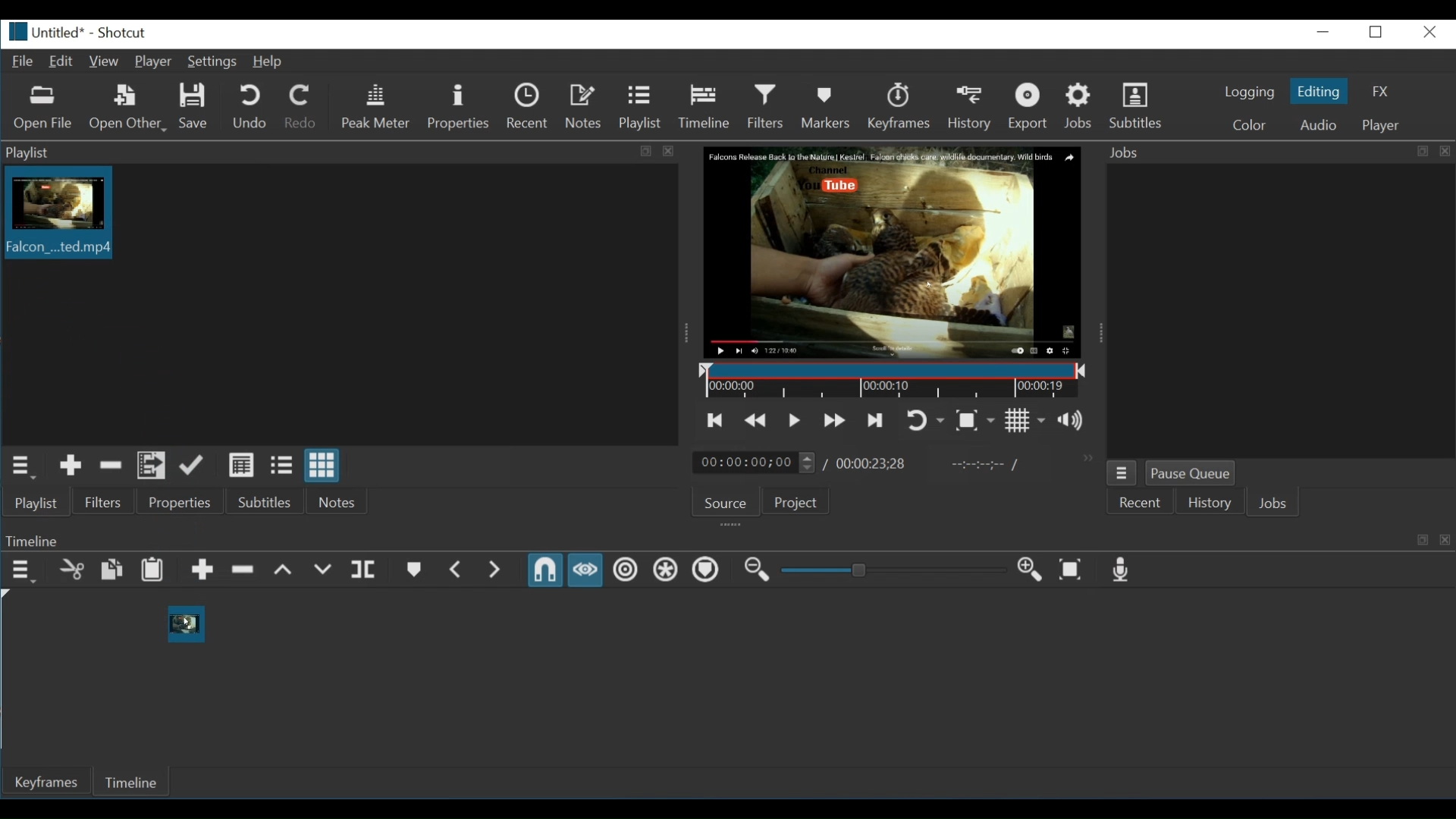 The image size is (1456, 819). Describe the element at coordinates (104, 502) in the screenshot. I see `Filters` at that location.